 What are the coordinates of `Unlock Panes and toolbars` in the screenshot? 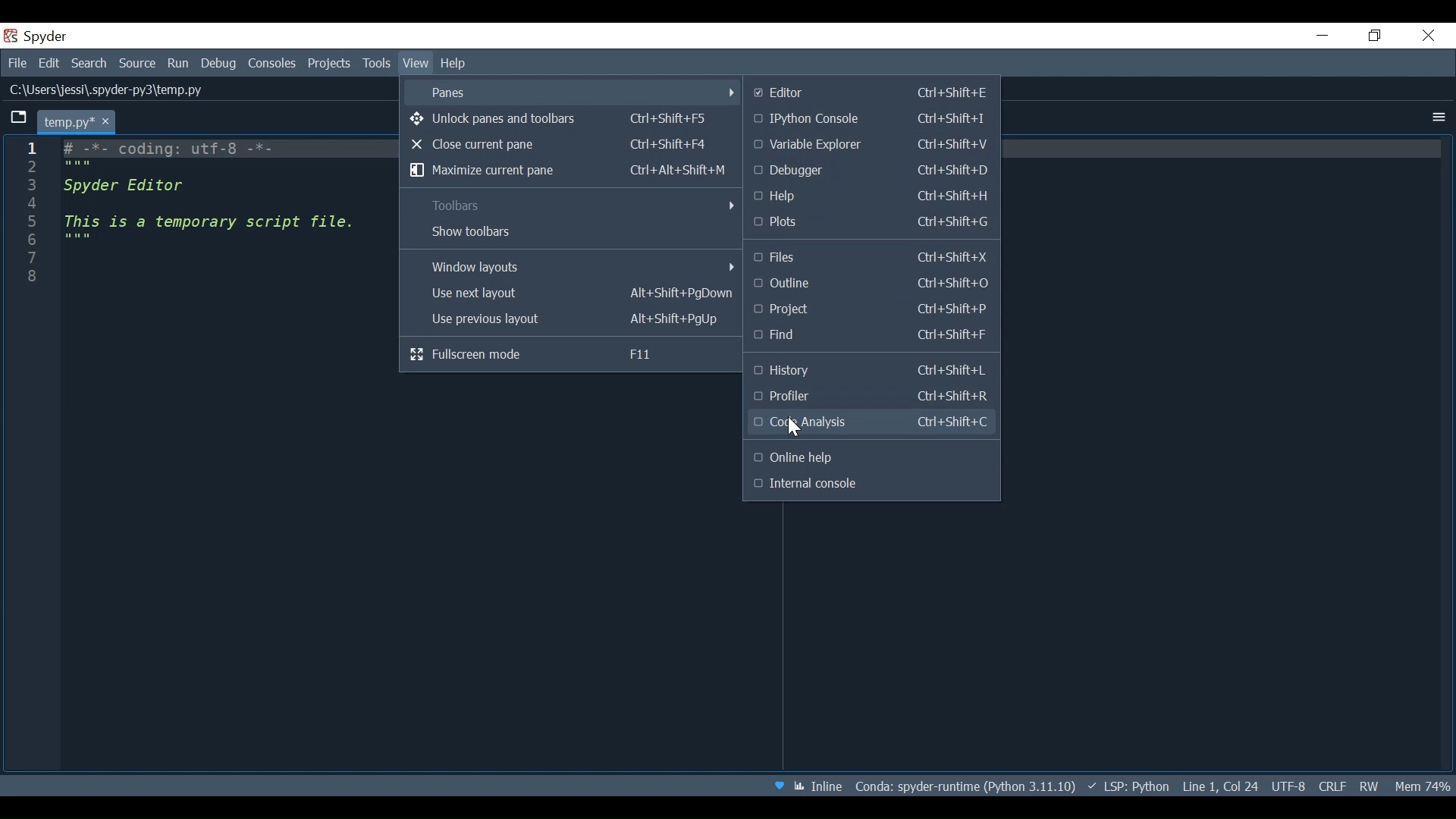 It's located at (568, 118).